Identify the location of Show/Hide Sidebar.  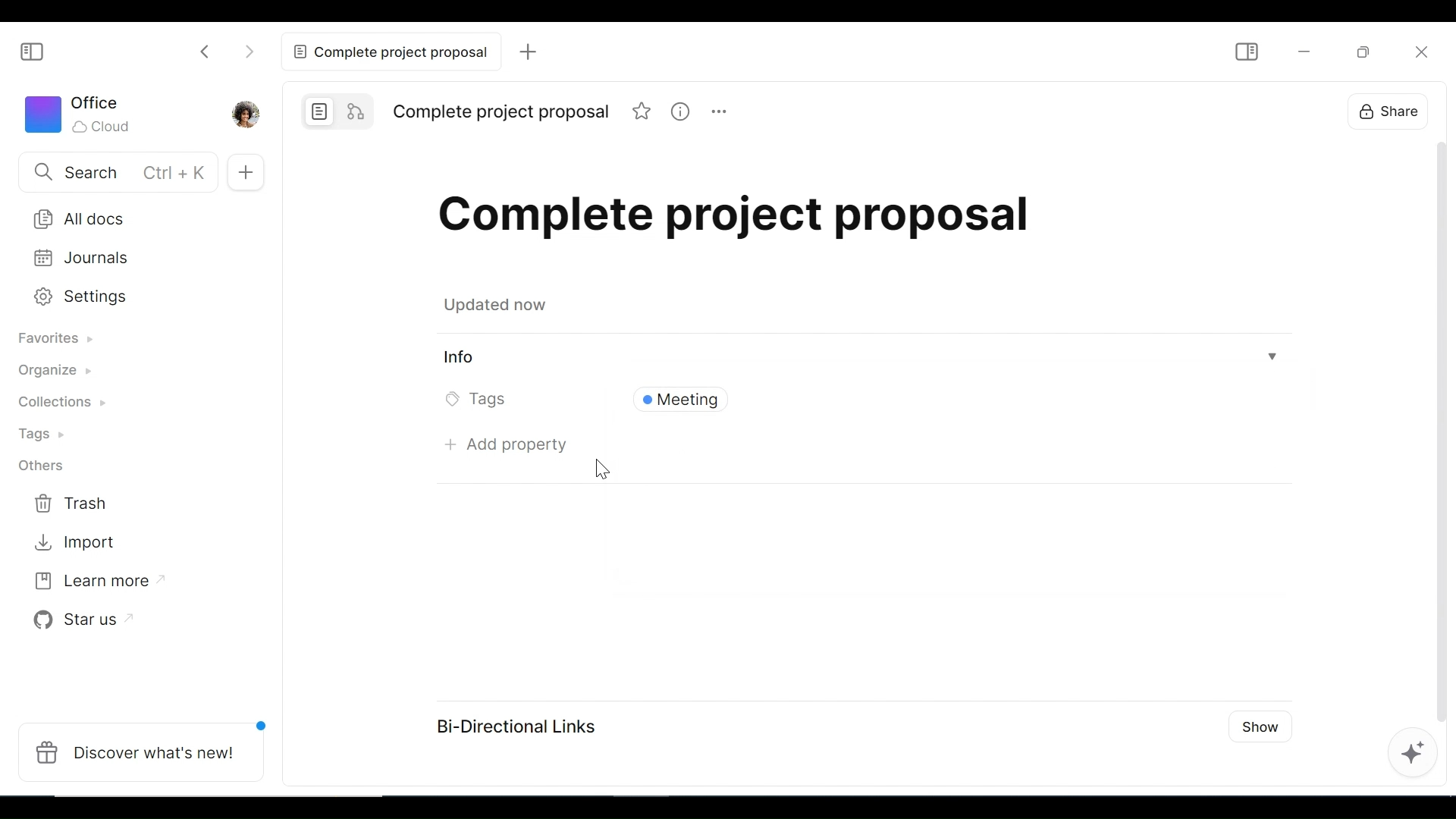
(33, 50).